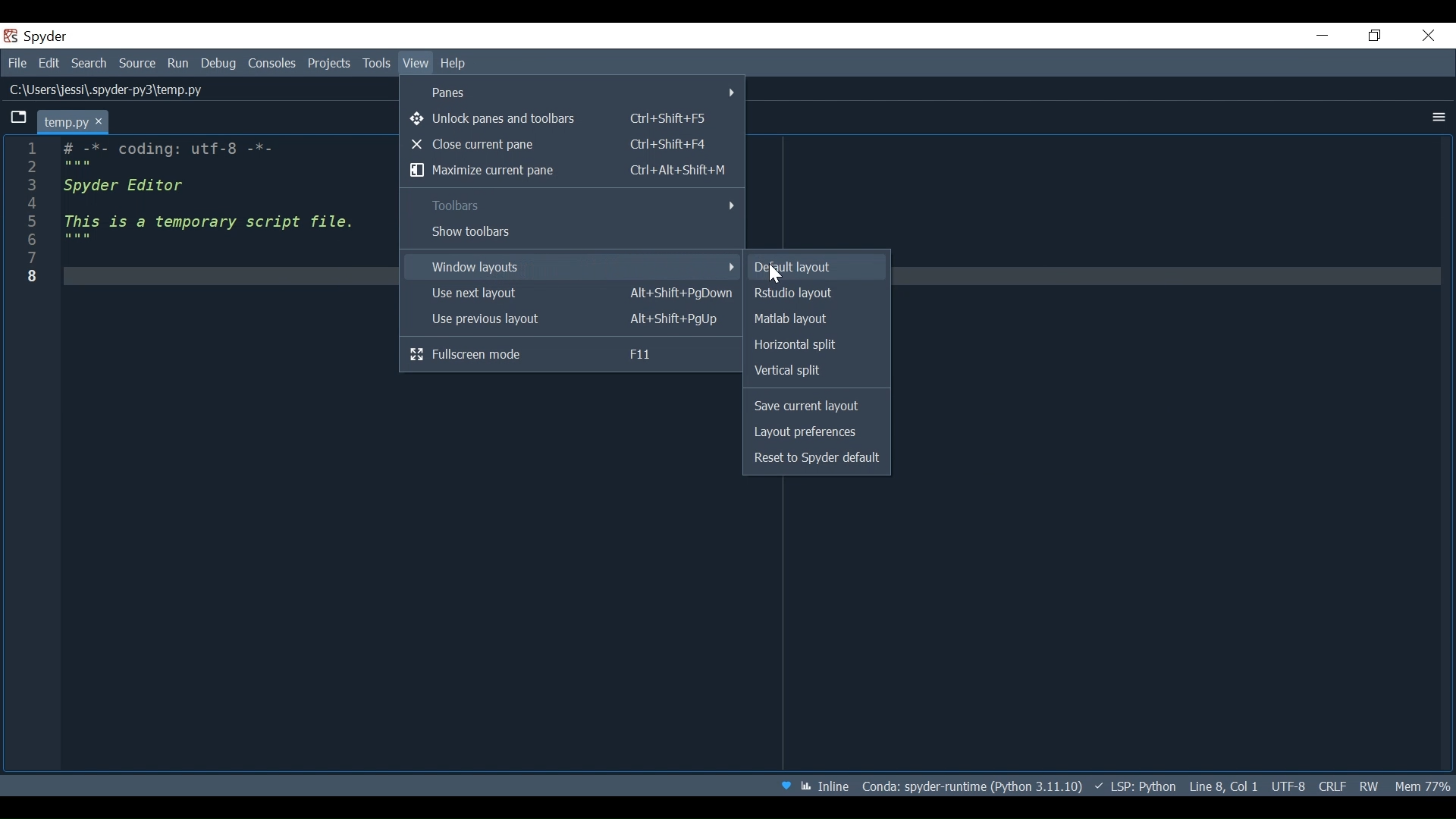  Describe the element at coordinates (817, 431) in the screenshot. I see `Layout preferences` at that location.